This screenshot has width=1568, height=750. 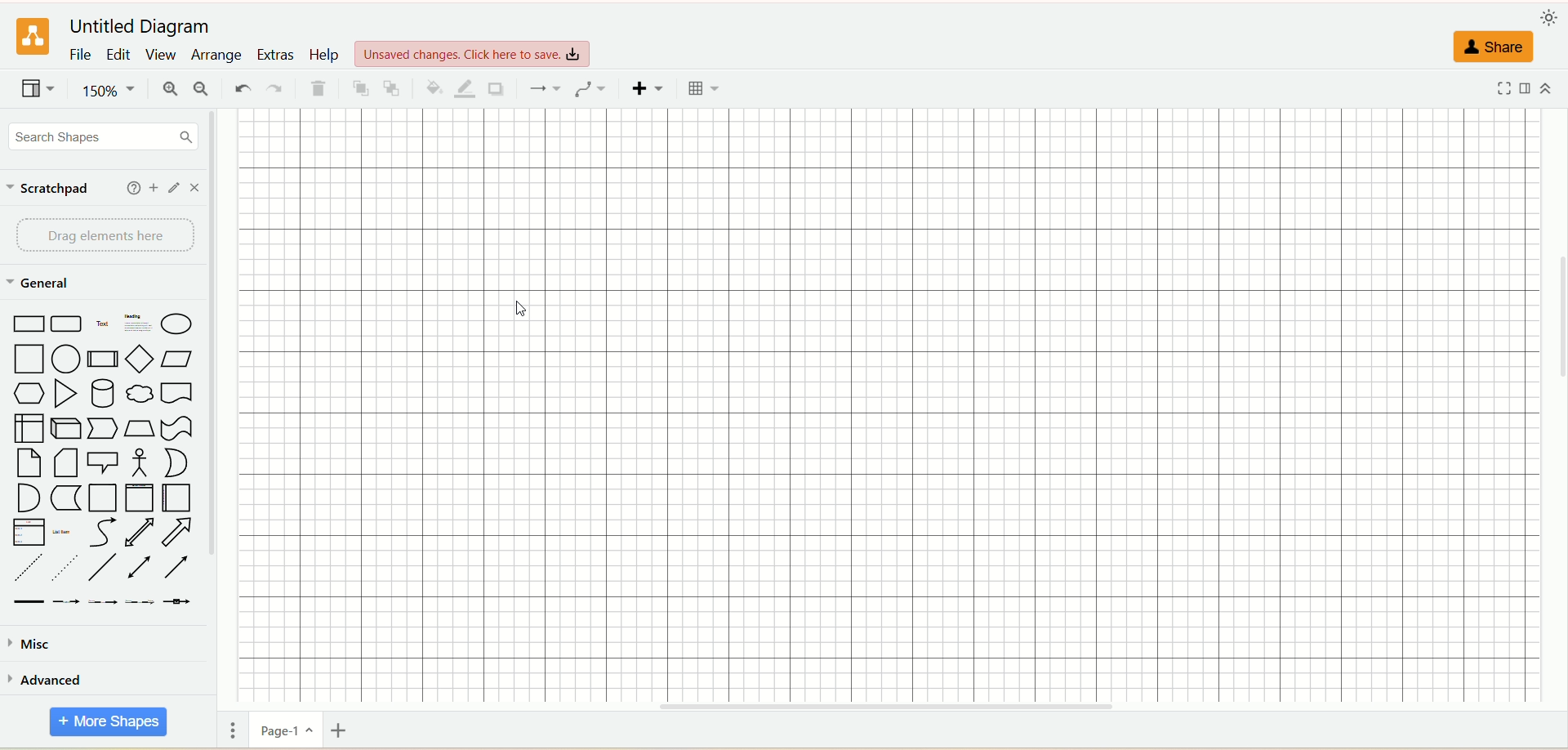 I want to click on format, so click(x=1532, y=88).